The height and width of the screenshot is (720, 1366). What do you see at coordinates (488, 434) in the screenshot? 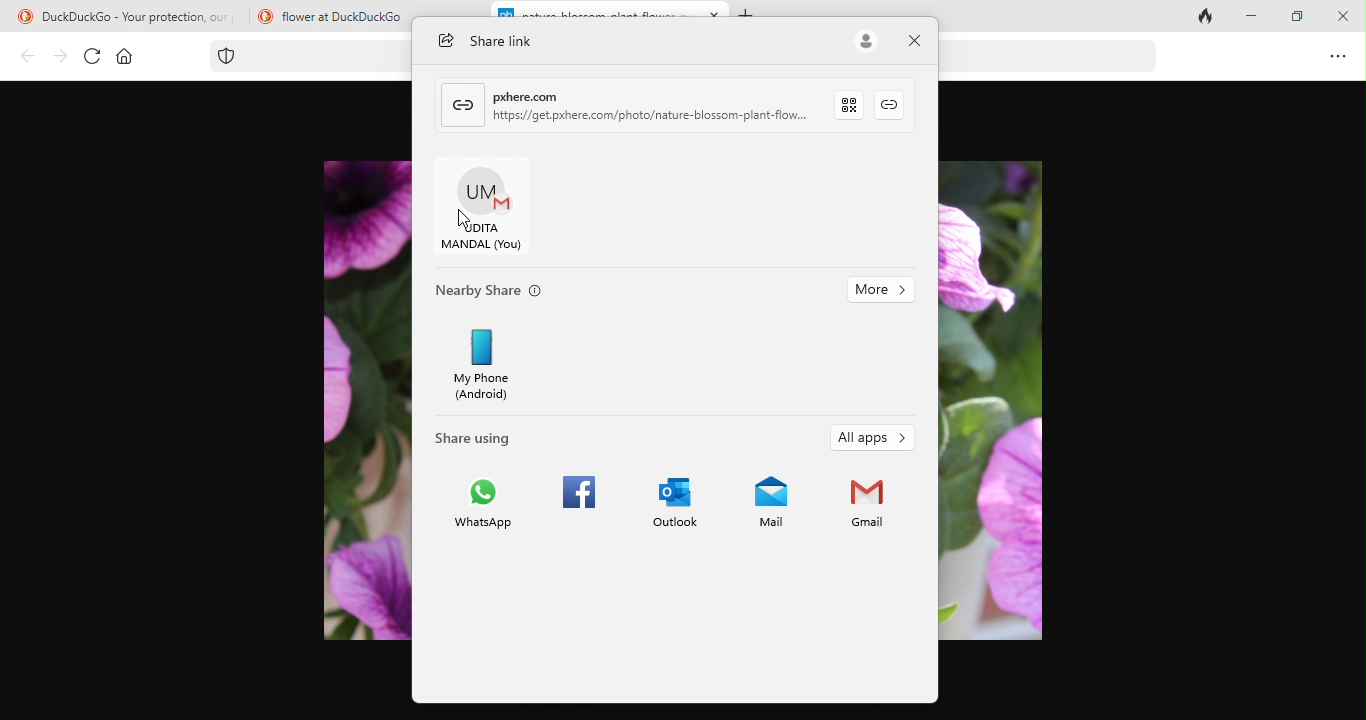
I see `share using` at bounding box center [488, 434].